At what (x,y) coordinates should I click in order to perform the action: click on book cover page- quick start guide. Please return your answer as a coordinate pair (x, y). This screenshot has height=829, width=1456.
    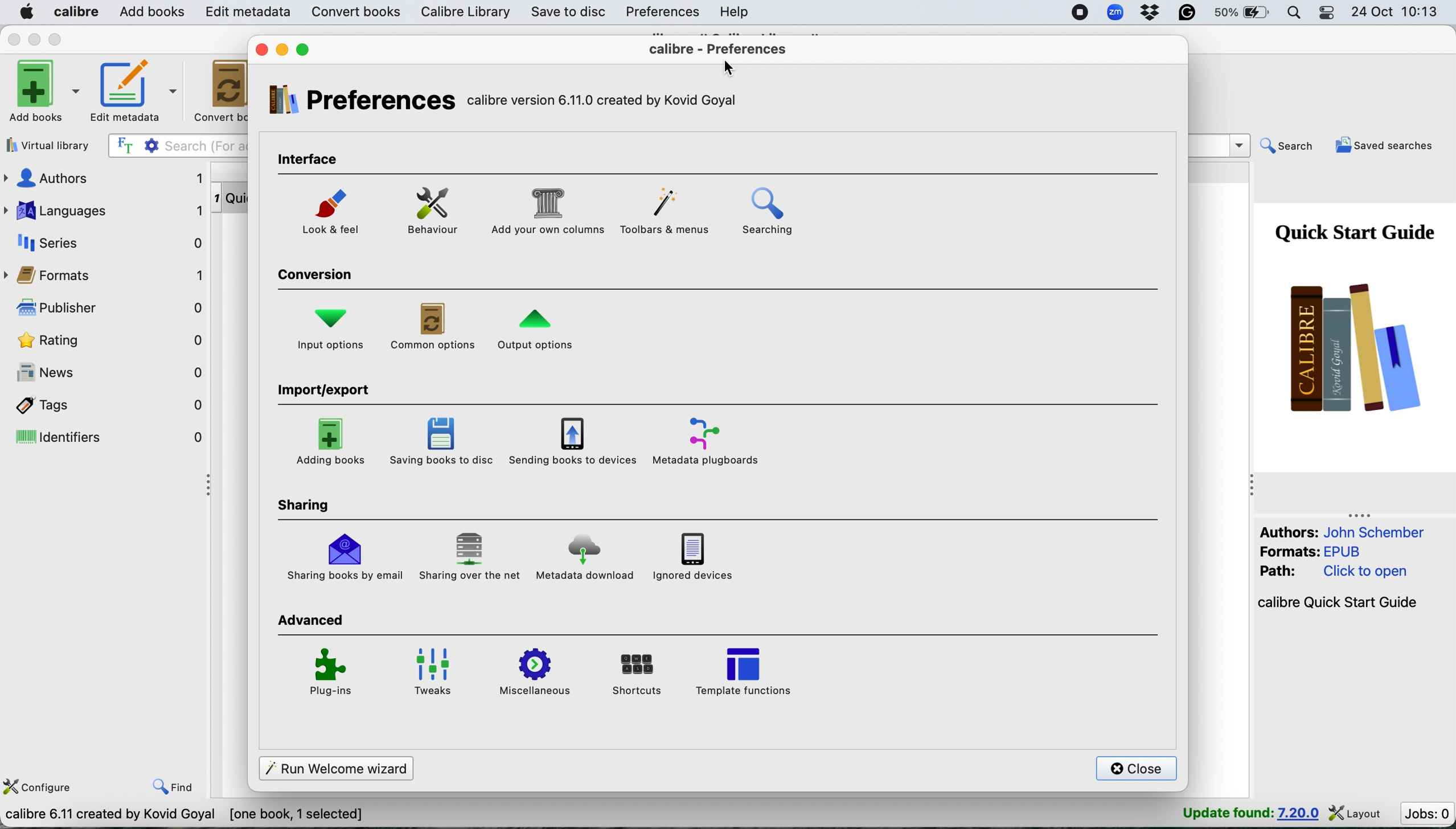
    Looking at the image, I should click on (1352, 322).